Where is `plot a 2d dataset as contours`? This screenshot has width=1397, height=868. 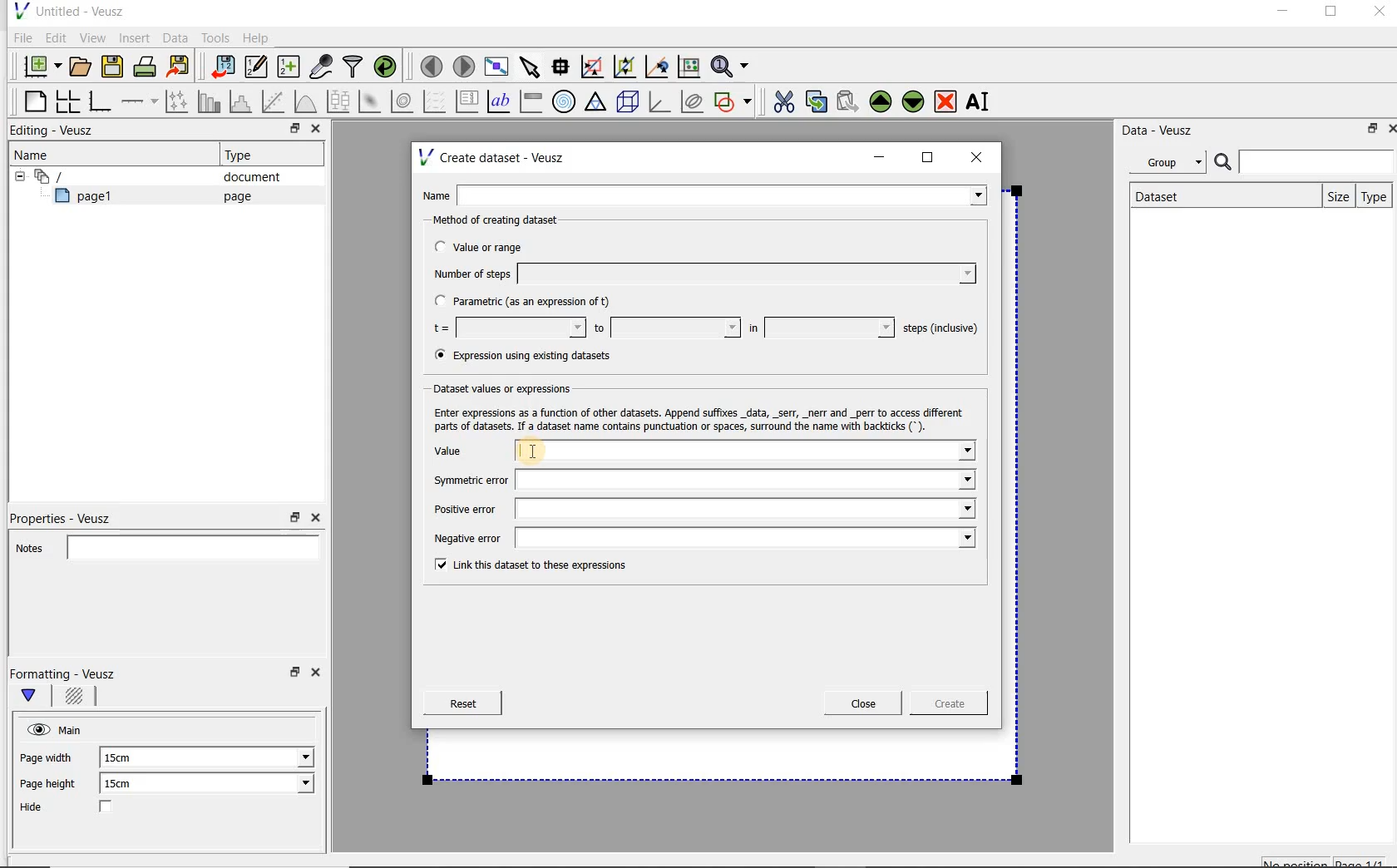
plot a 2d dataset as contours is located at coordinates (403, 101).